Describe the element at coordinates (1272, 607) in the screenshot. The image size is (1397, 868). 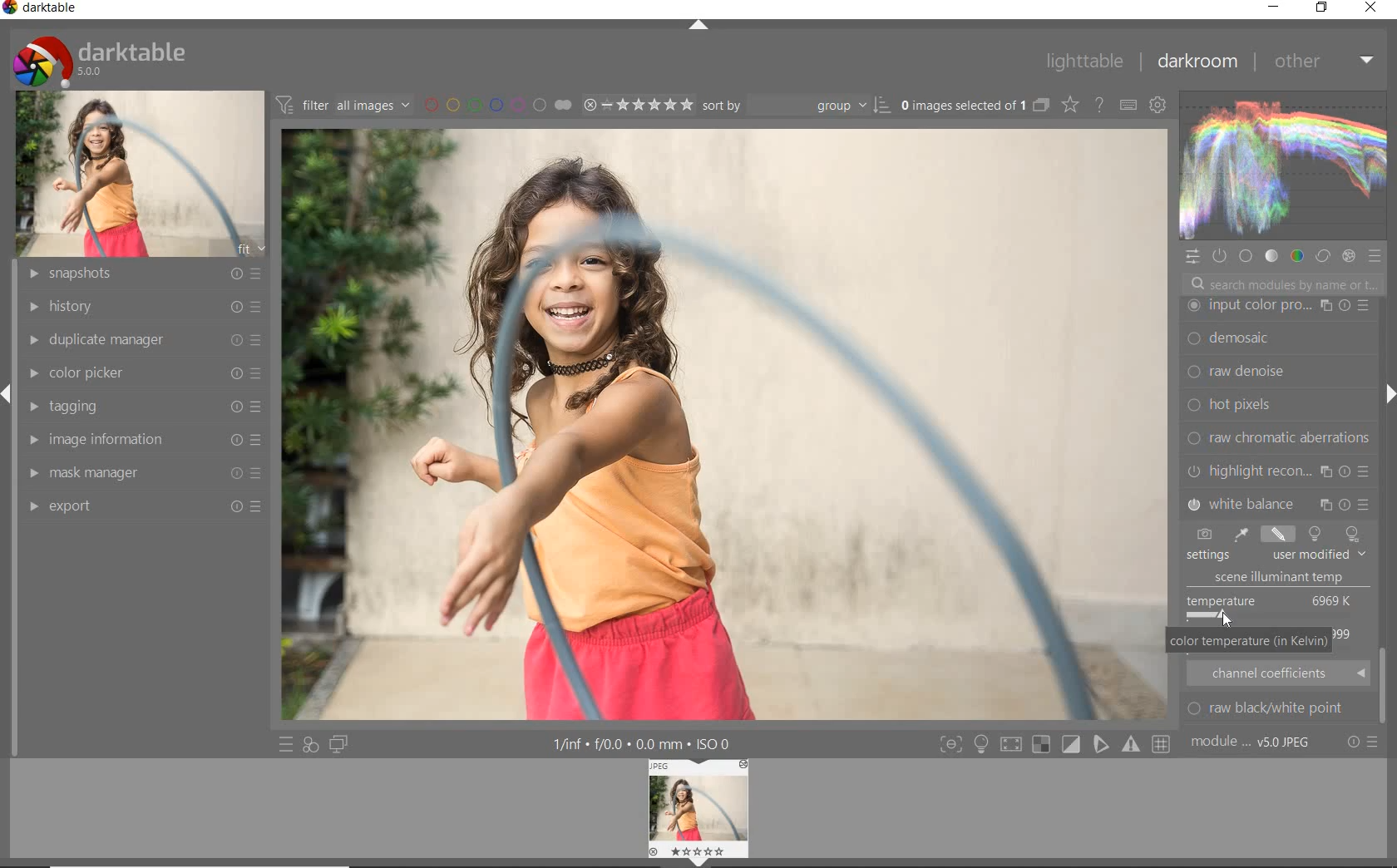
I see `TEMPERATURE` at that location.